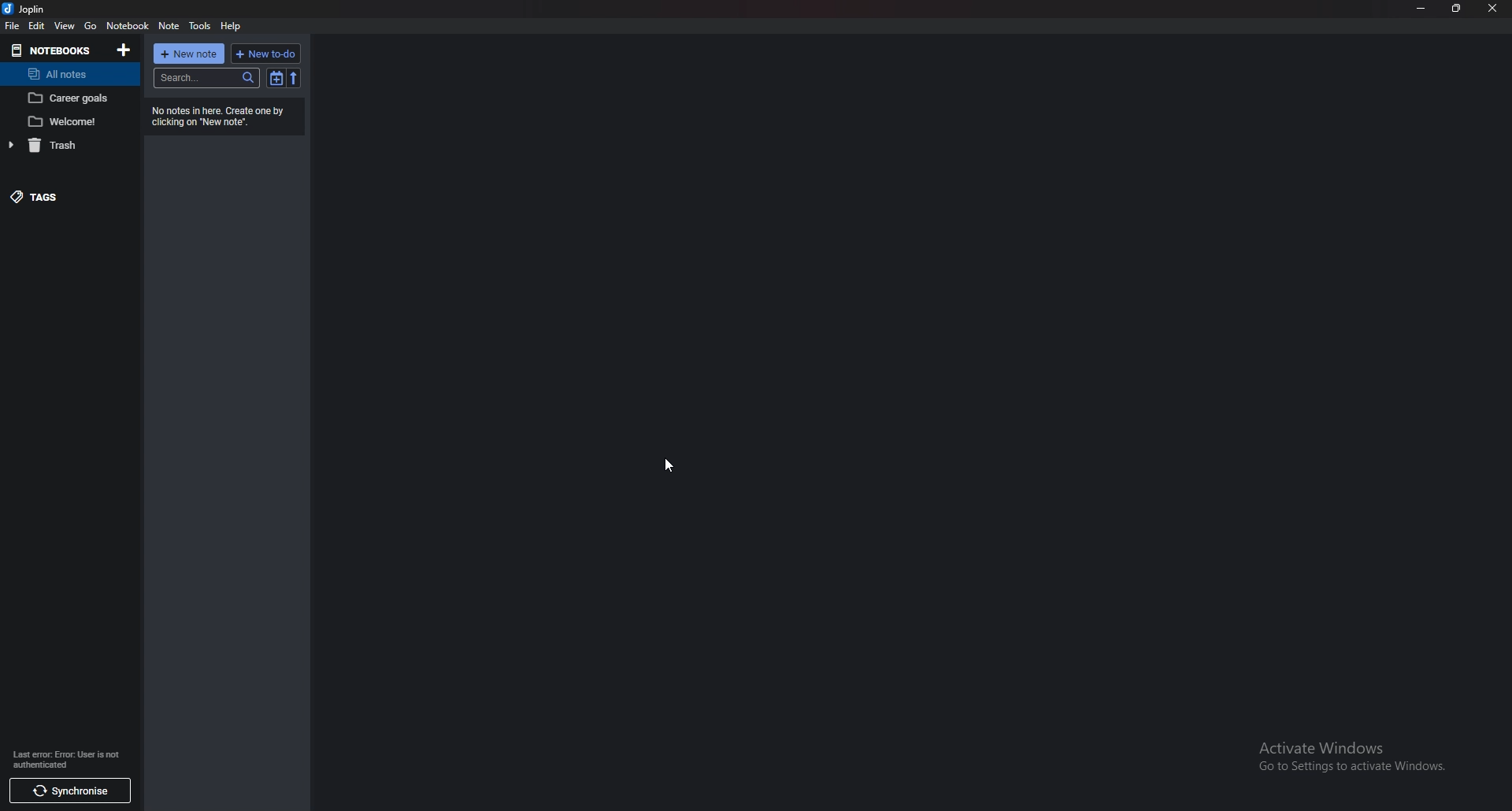 Image resolution: width=1512 pixels, height=811 pixels. Describe the element at coordinates (1494, 8) in the screenshot. I see `close` at that location.